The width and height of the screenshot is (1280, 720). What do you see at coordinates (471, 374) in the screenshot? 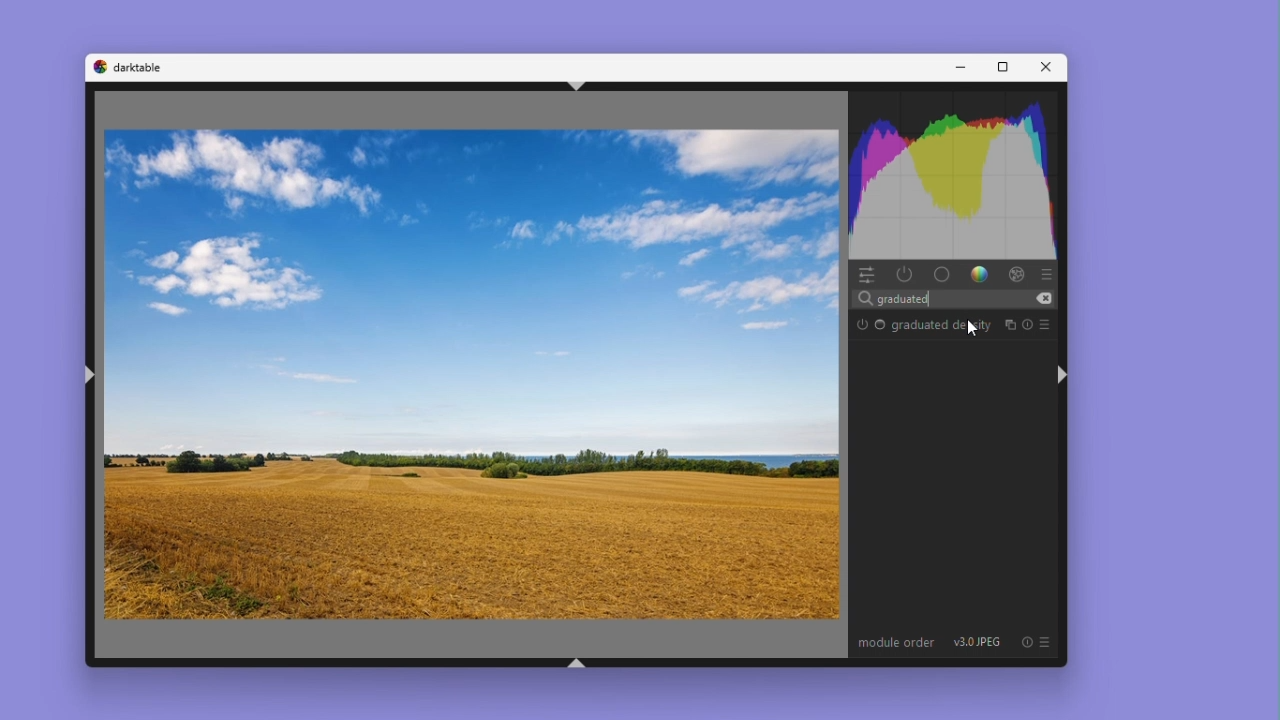
I see `Image` at bounding box center [471, 374].